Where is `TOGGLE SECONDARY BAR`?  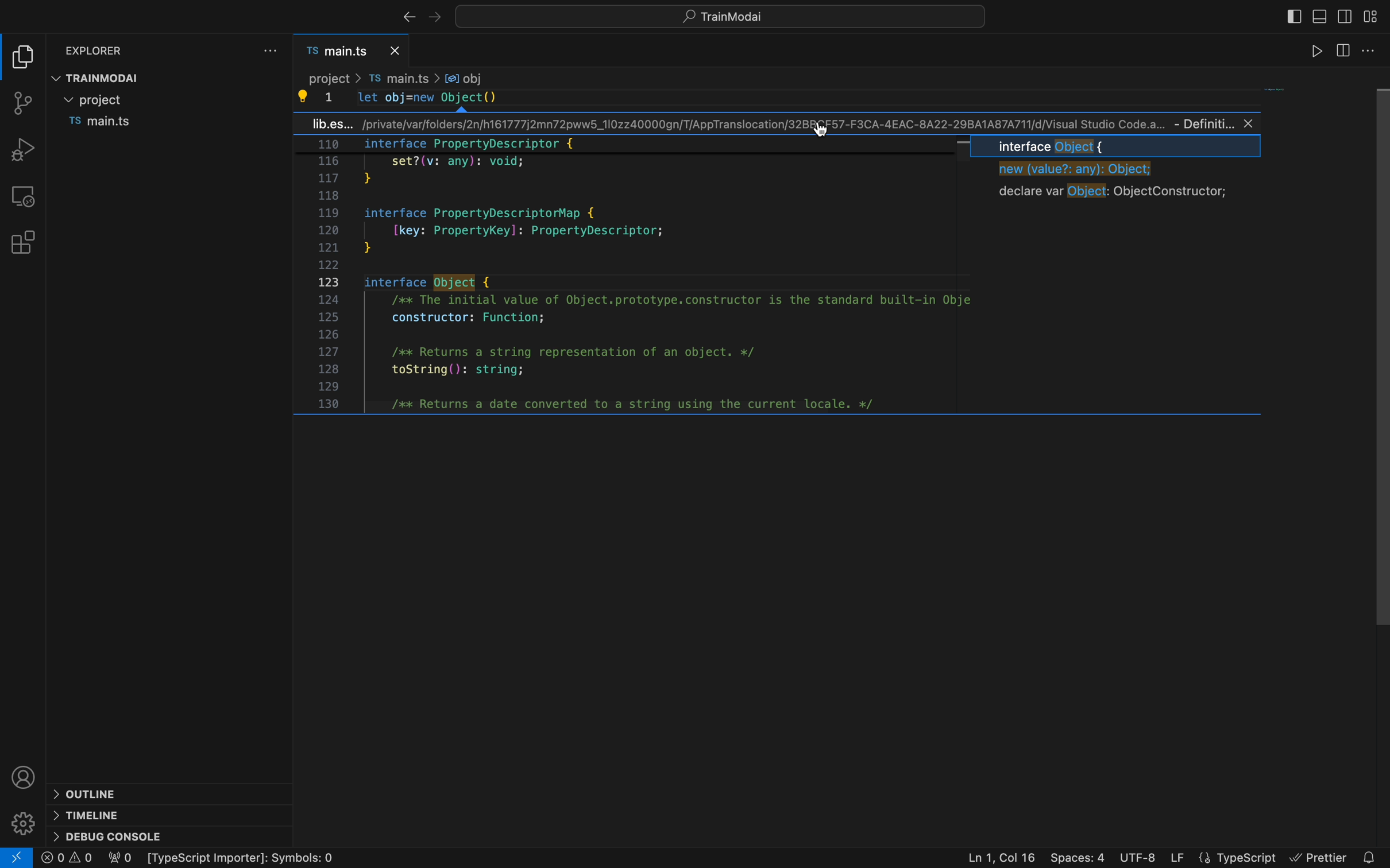 TOGGLE SECONDARY BAR is located at coordinates (1342, 17).